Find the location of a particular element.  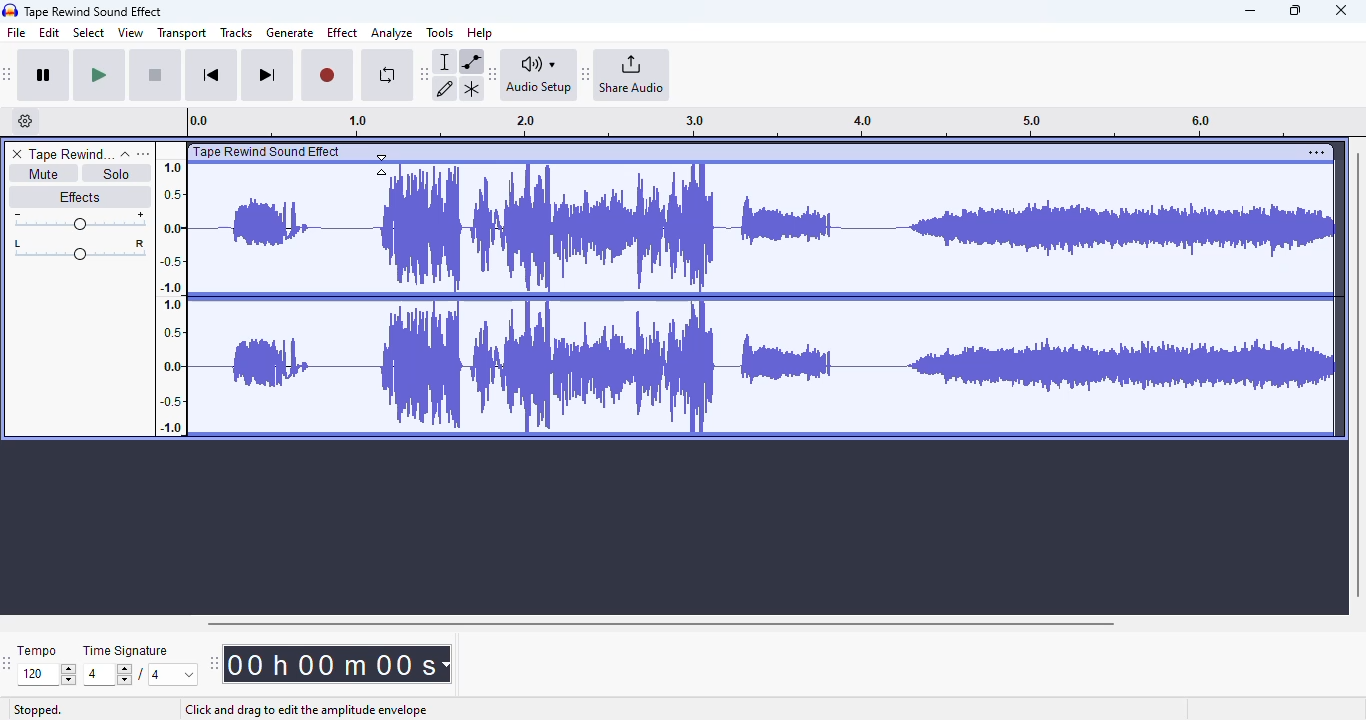

generate is located at coordinates (290, 33).